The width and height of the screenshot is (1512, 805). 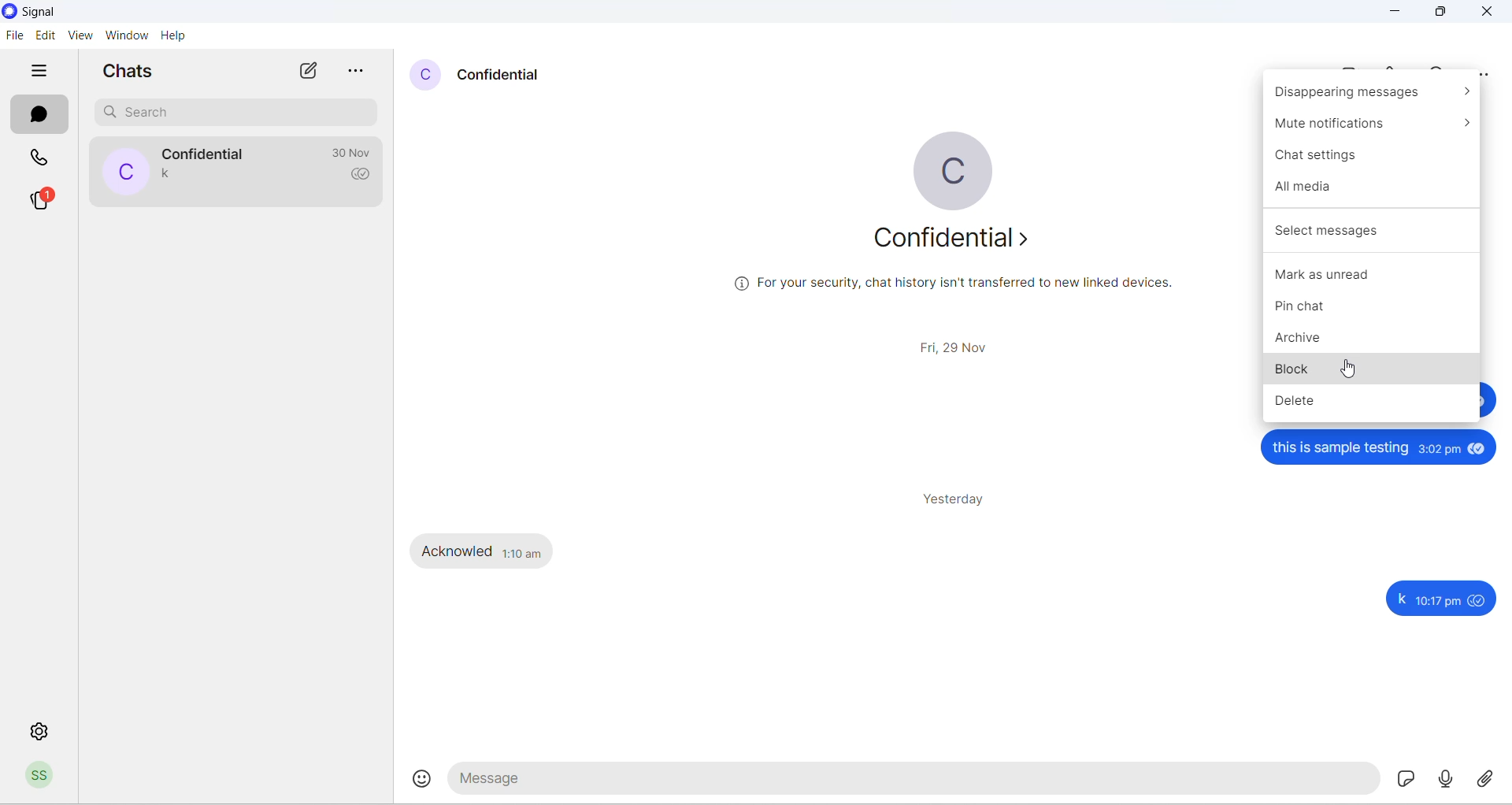 What do you see at coordinates (363, 176) in the screenshot?
I see `read recipient` at bounding box center [363, 176].